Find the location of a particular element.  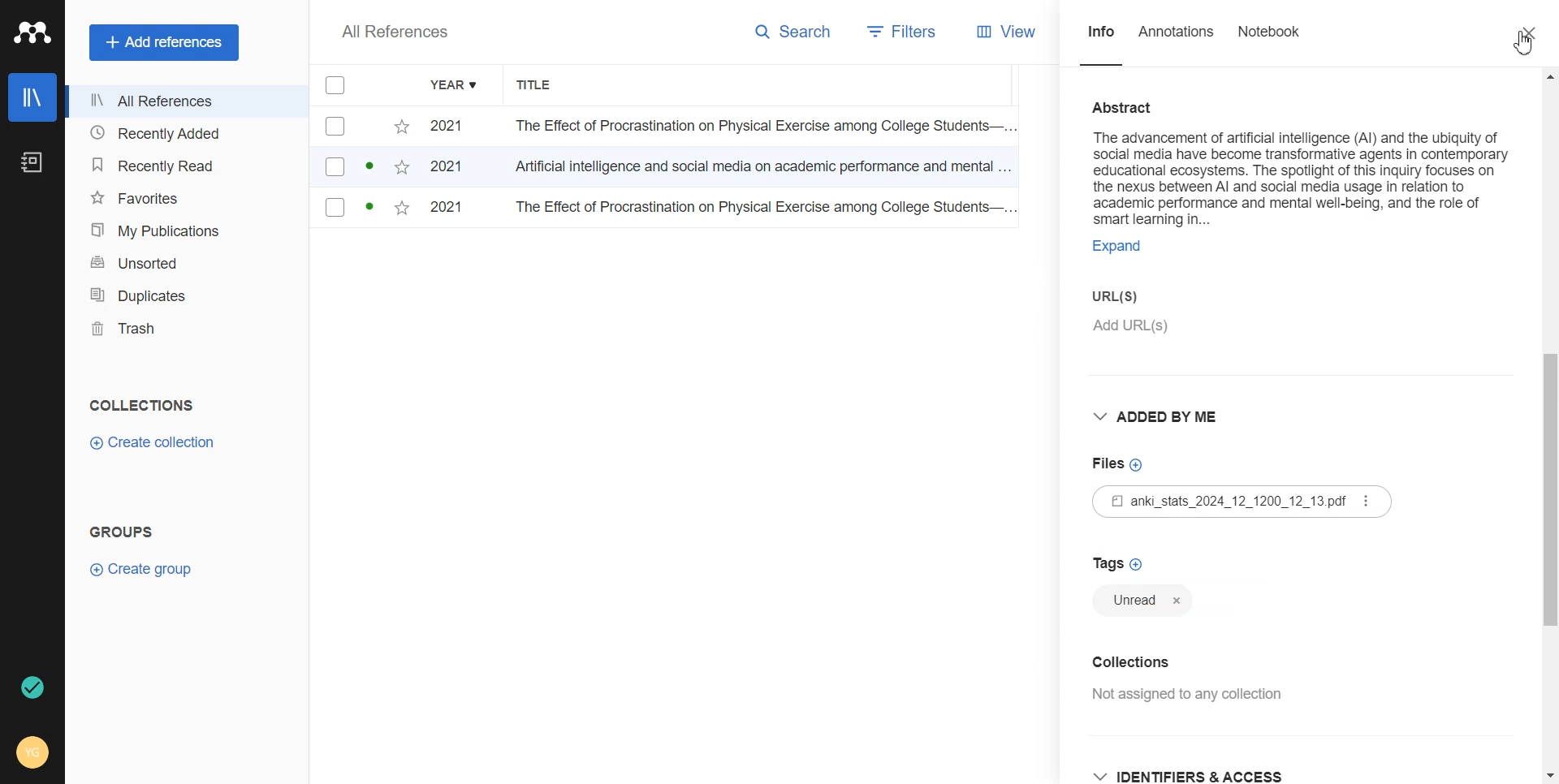

Added by me is located at coordinates (1159, 414).